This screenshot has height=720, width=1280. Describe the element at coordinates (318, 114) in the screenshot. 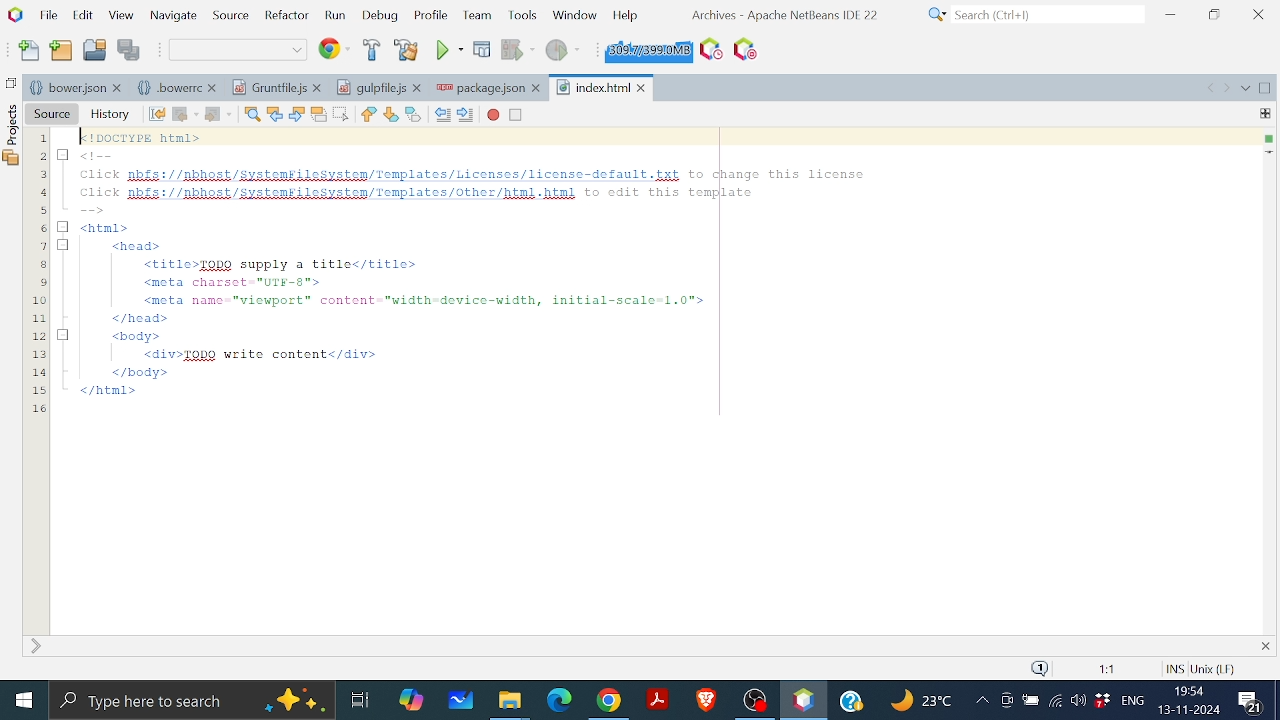

I see `Toggle highlight seacrh` at that location.